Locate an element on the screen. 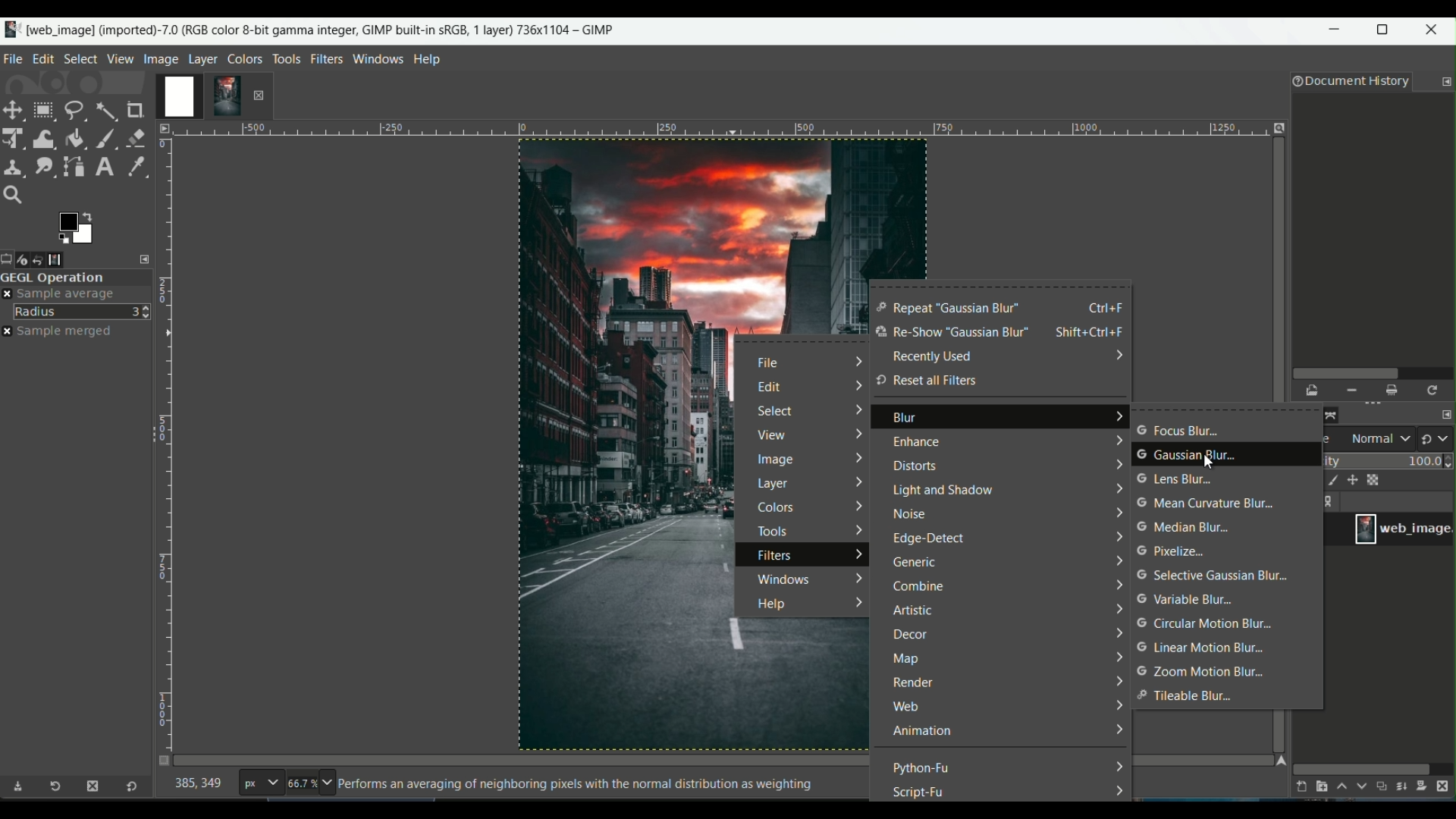 This screenshot has width=1456, height=819. smudge tool is located at coordinates (43, 166).